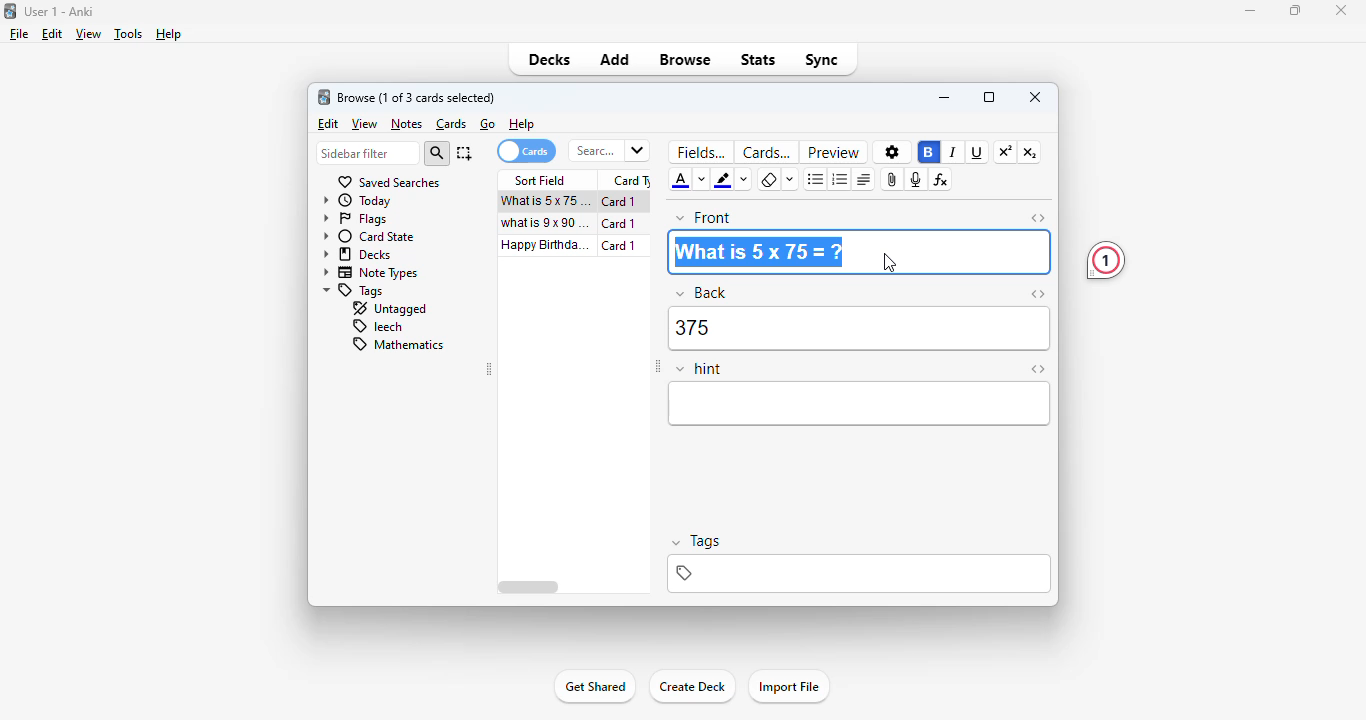 The width and height of the screenshot is (1366, 720). What do you see at coordinates (324, 97) in the screenshot?
I see `logo` at bounding box center [324, 97].